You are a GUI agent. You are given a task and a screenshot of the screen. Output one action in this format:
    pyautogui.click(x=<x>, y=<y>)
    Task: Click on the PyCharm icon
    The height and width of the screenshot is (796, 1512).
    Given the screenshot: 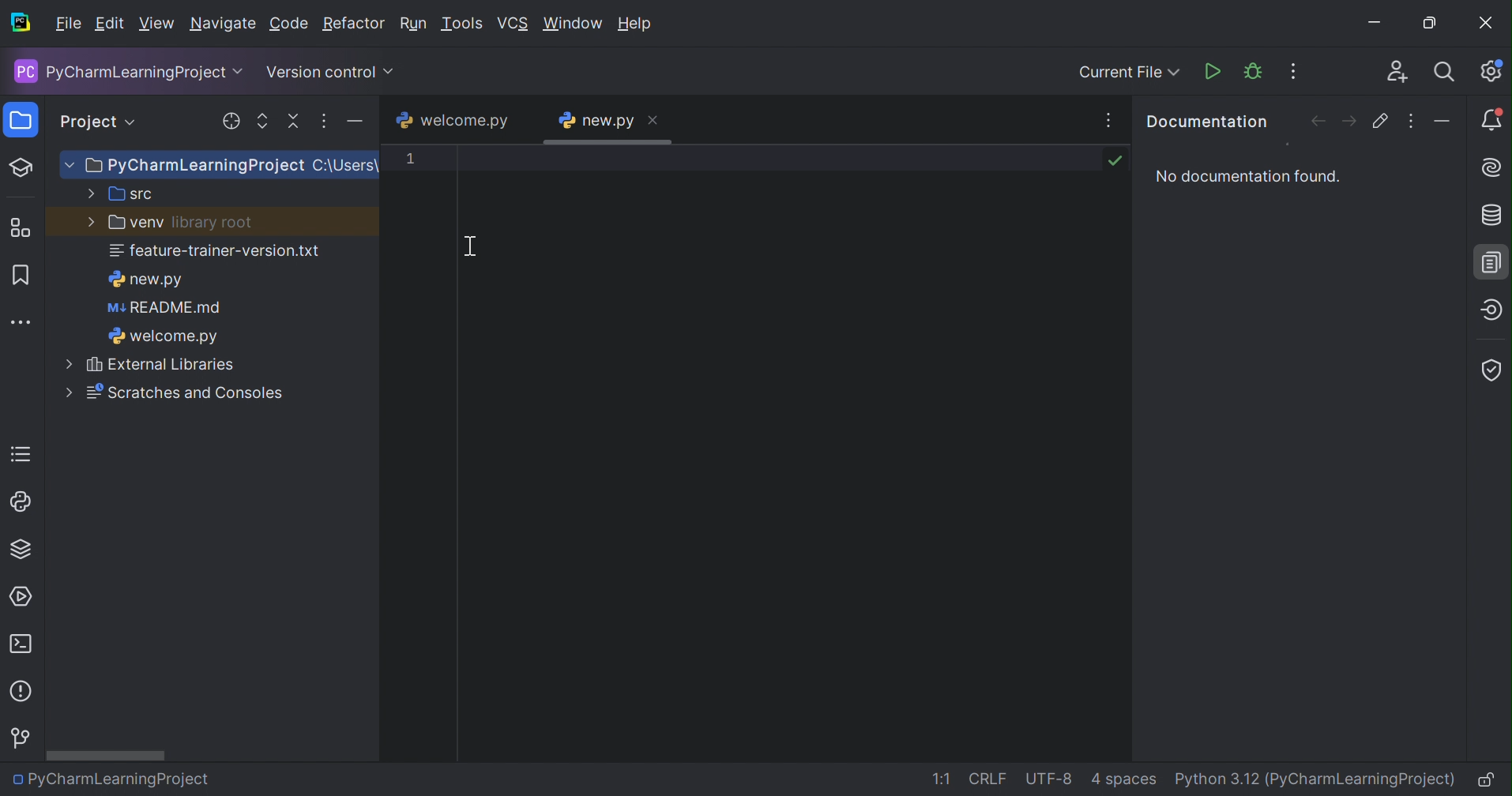 What is the action you would take?
    pyautogui.click(x=21, y=24)
    